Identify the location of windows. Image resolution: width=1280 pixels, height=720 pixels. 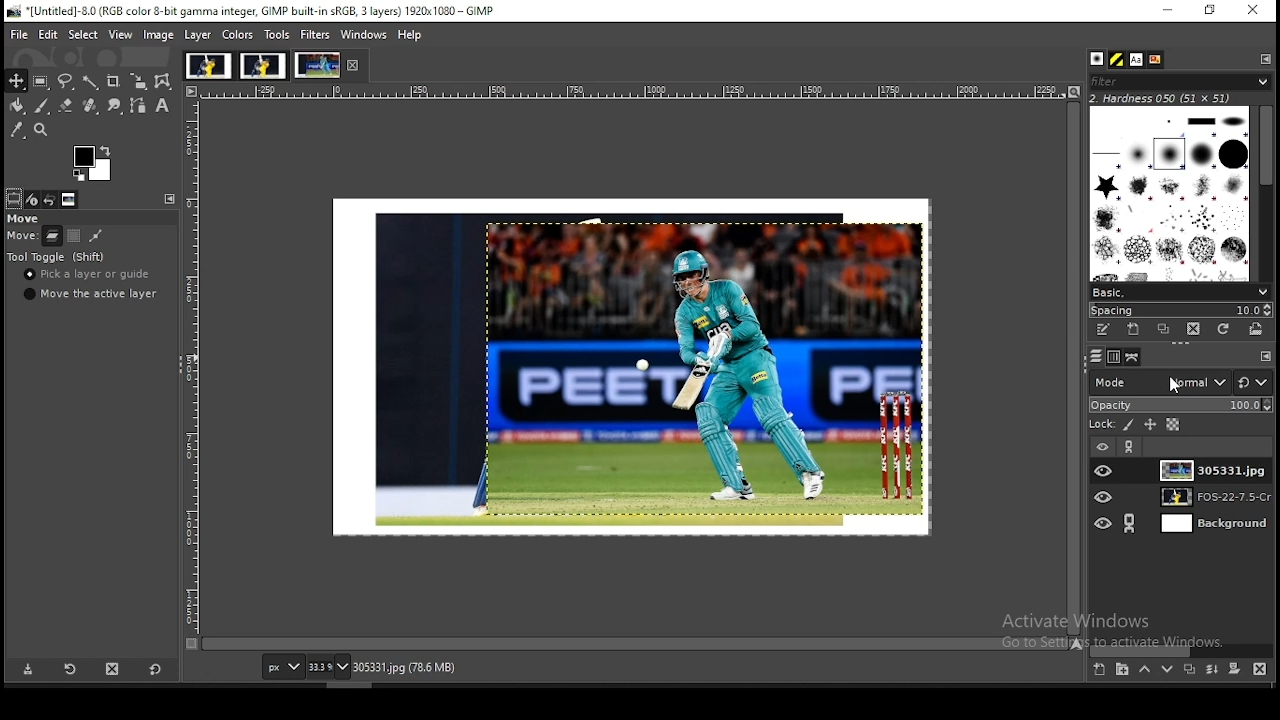
(365, 35).